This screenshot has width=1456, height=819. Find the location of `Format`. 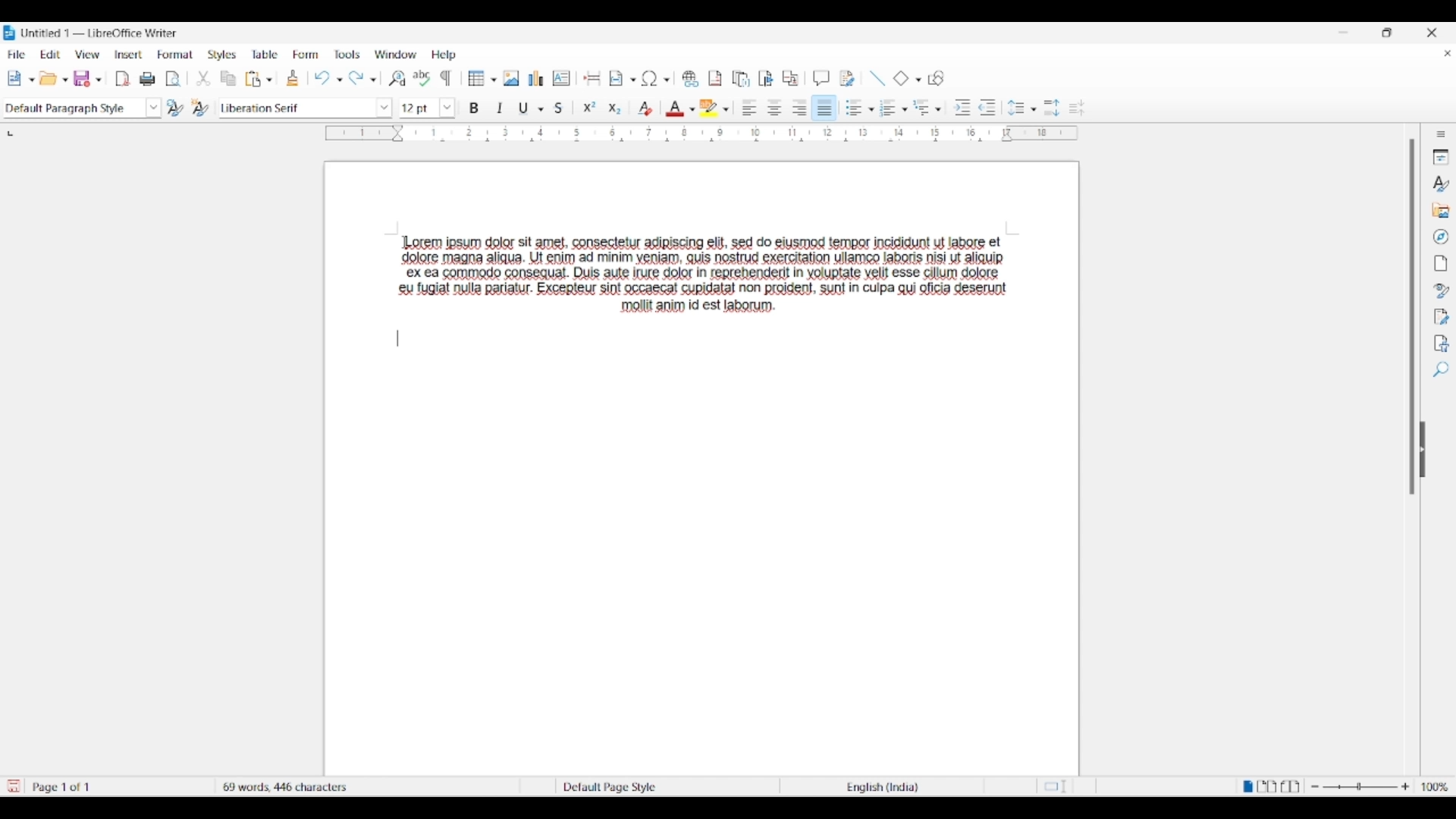

Format is located at coordinates (175, 55).